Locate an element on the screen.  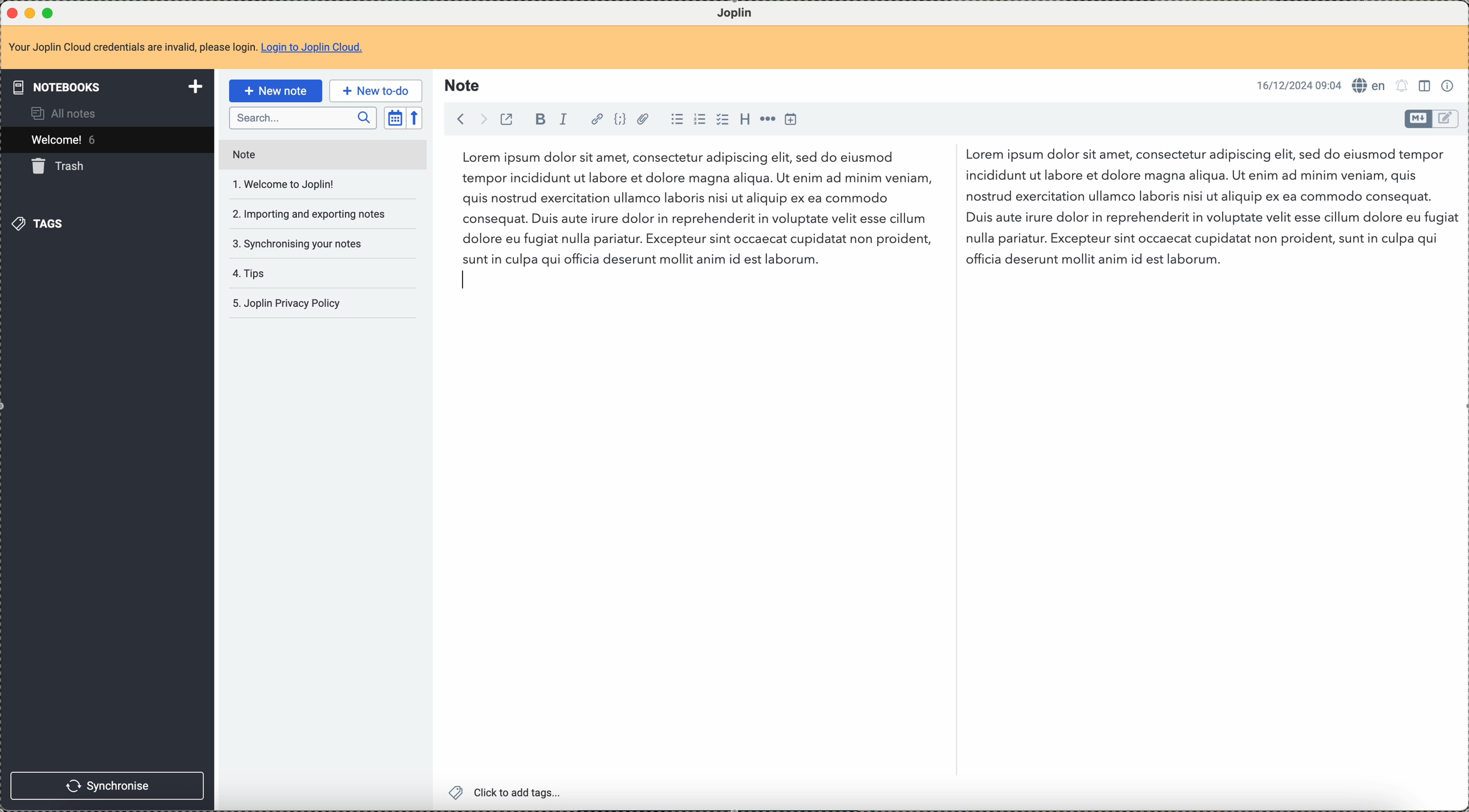
italic is located at coordinates (565, 119).